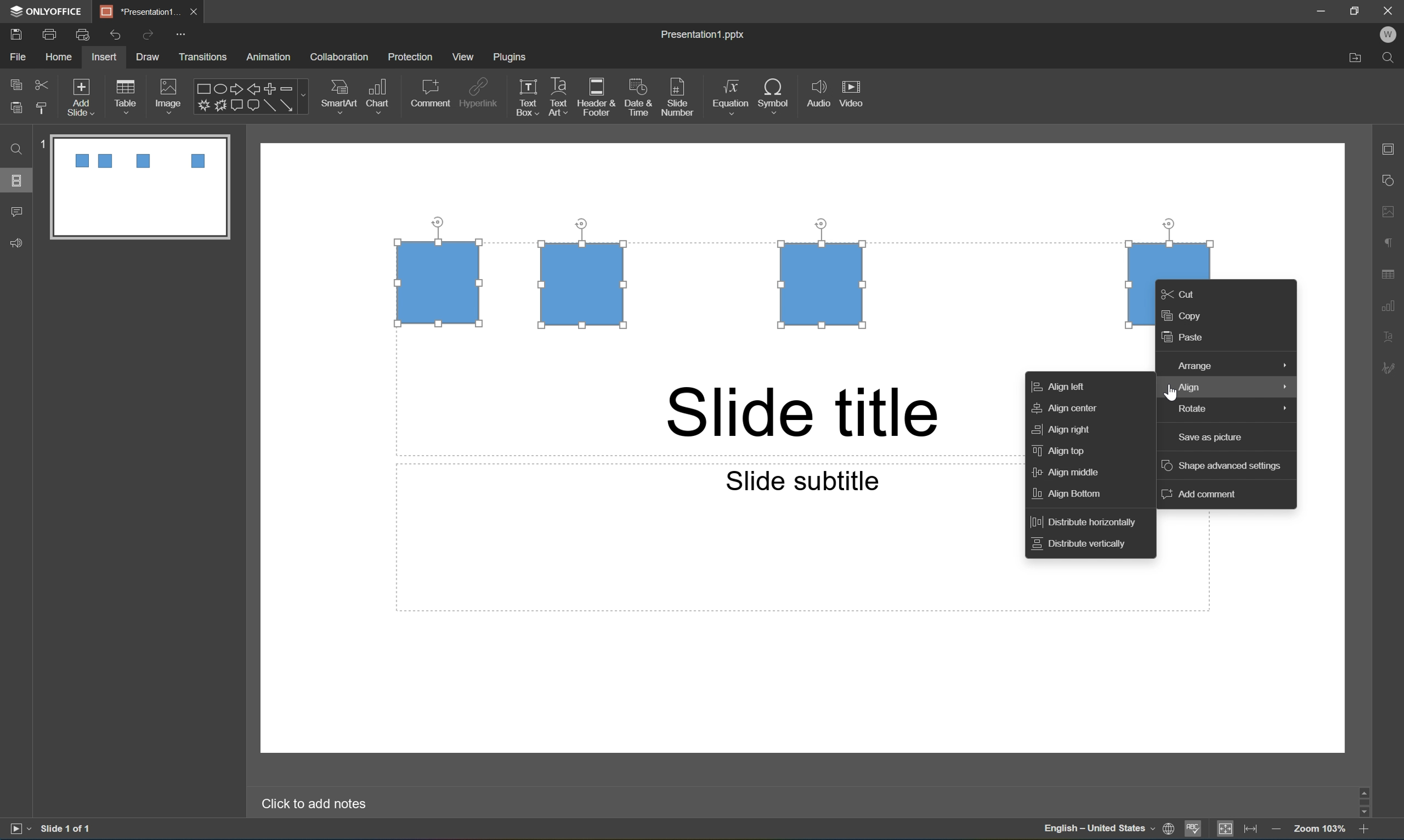 Image resolution: width=1404 pixels, height=840 pixels. What do you see at coordinates (1394, 337) in the screenshot?
I see `text art settings` at bounding box center [1394, 337].